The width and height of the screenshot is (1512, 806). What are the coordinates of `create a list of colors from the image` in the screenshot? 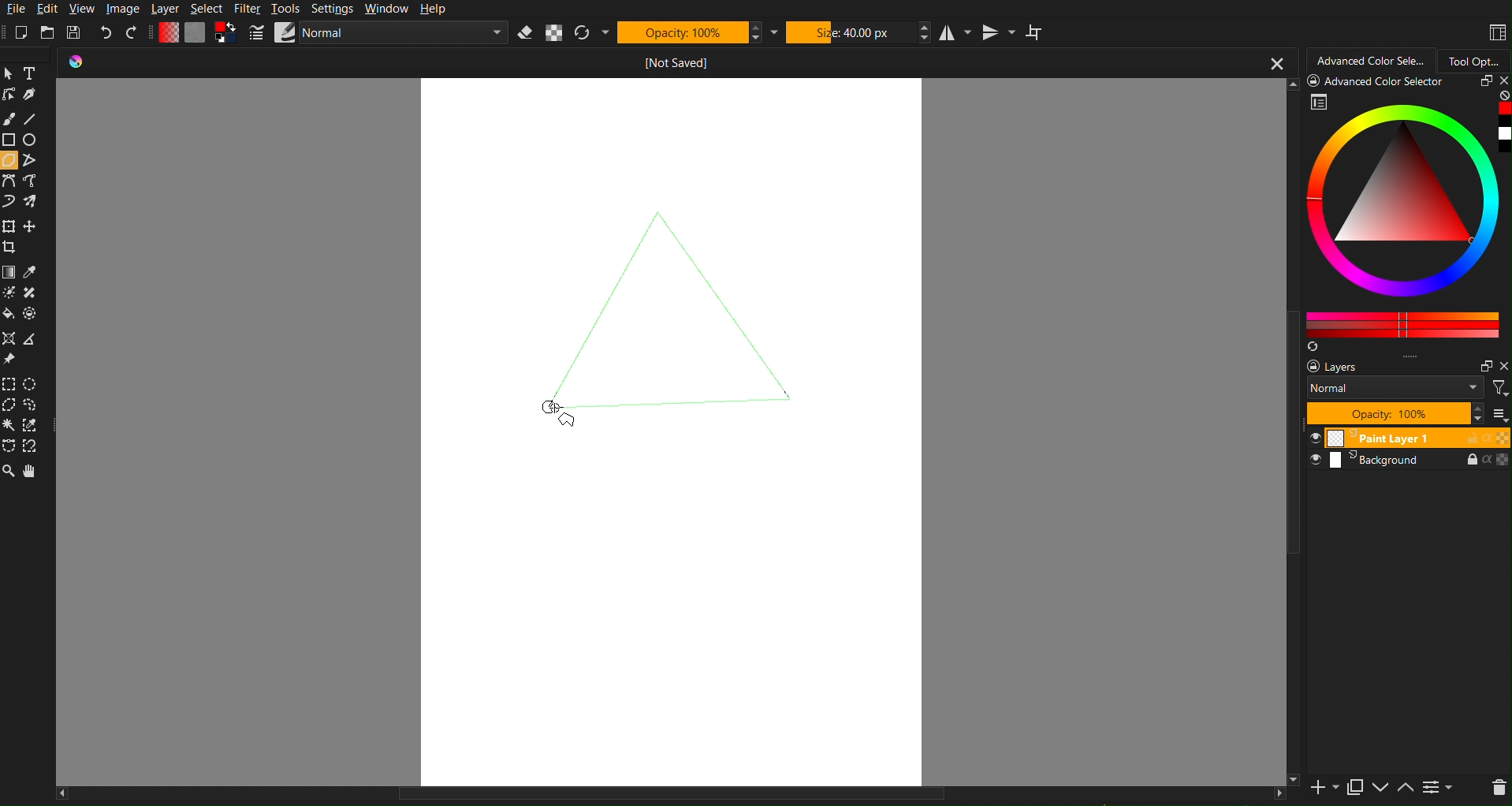 It's located at (1313, 348).